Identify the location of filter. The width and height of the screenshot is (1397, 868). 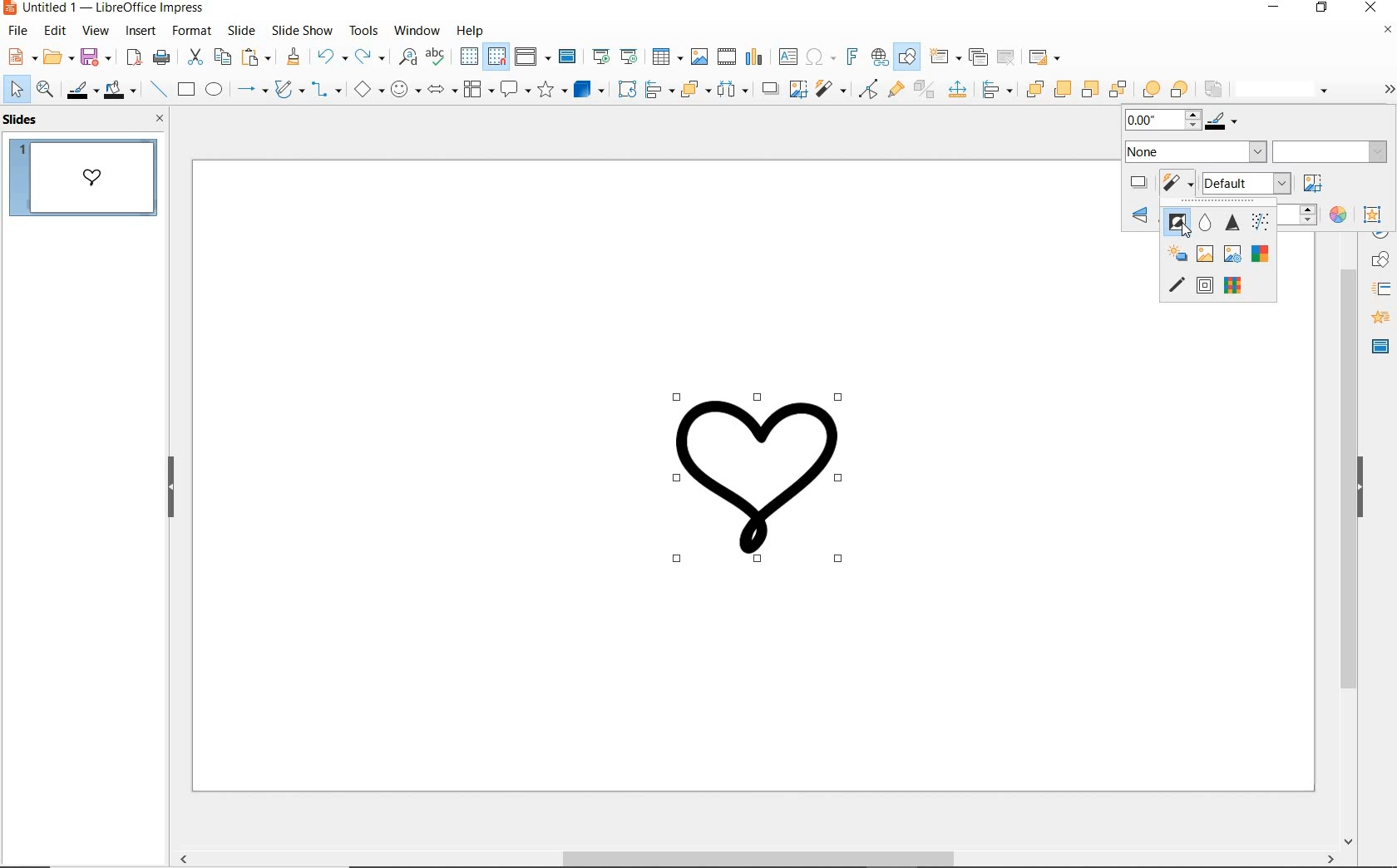
(829, 89).